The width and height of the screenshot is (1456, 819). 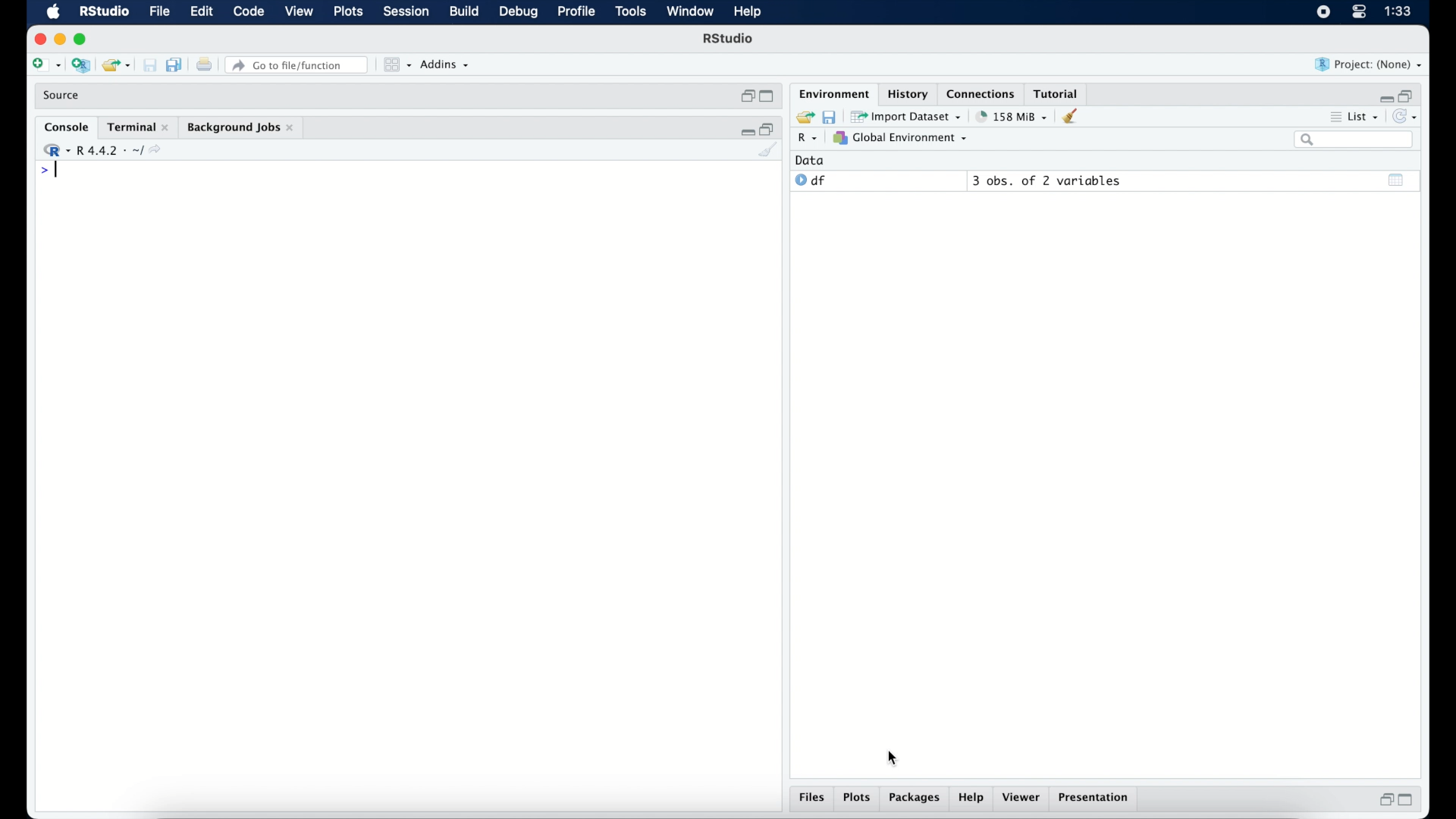 What do you see at coordinates (396, 65) in the screenshot?
I see `view in panes` at bounding box center [396, 65].